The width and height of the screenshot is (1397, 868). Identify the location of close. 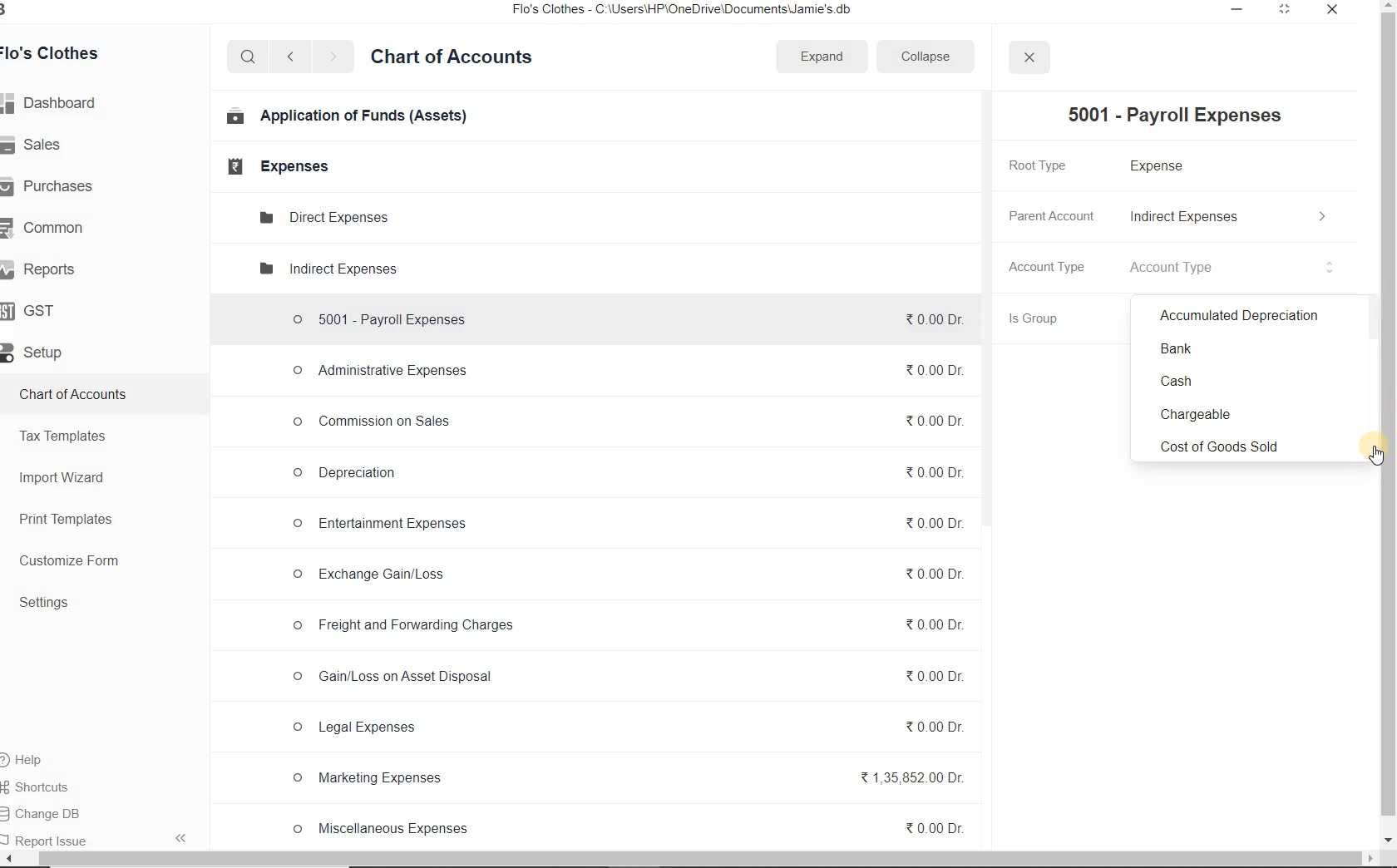
(1029, 57).